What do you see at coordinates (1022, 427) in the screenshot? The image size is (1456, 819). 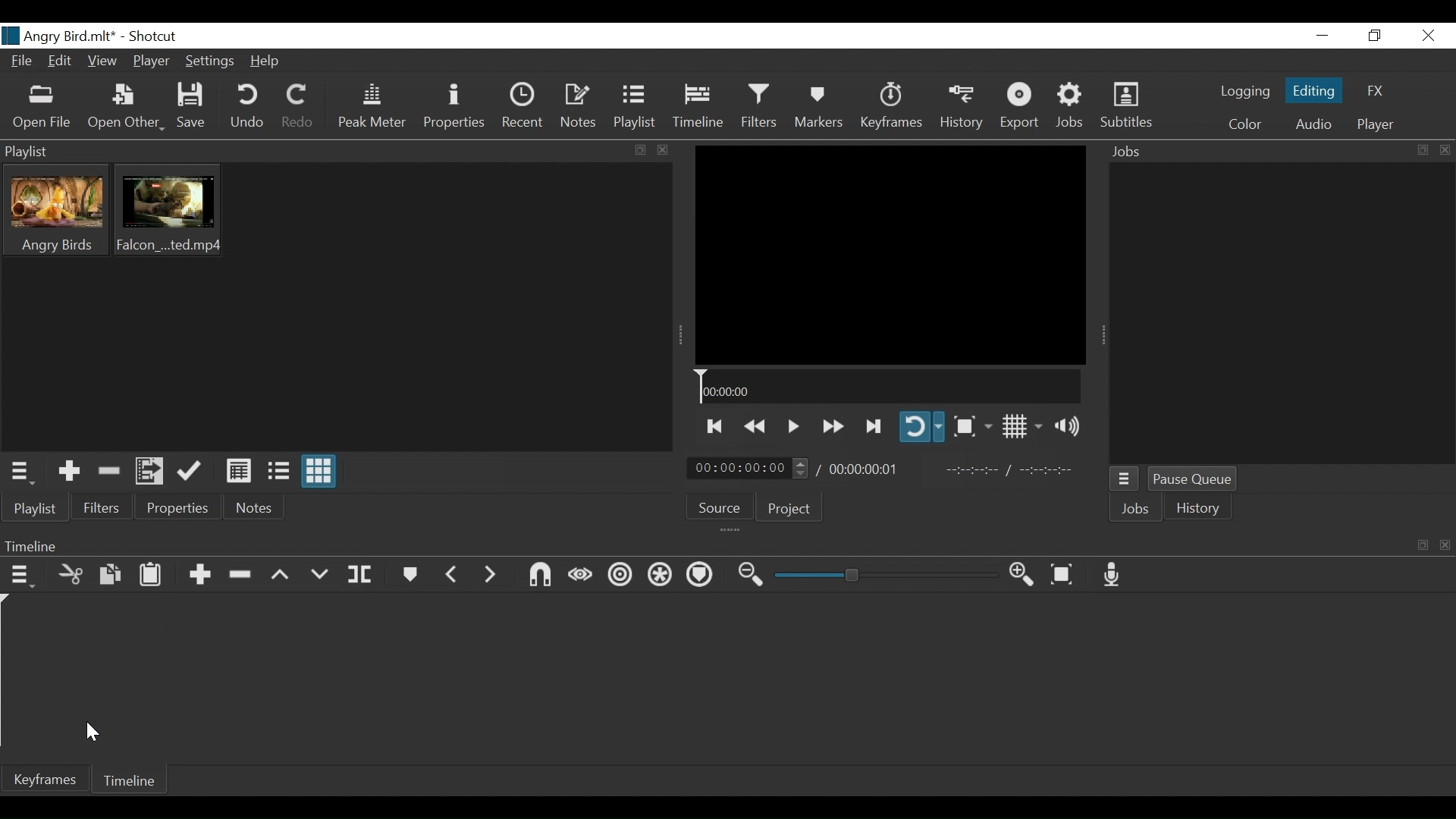 I see `Toggle display grid on player` at bounding box center [1022, 427].